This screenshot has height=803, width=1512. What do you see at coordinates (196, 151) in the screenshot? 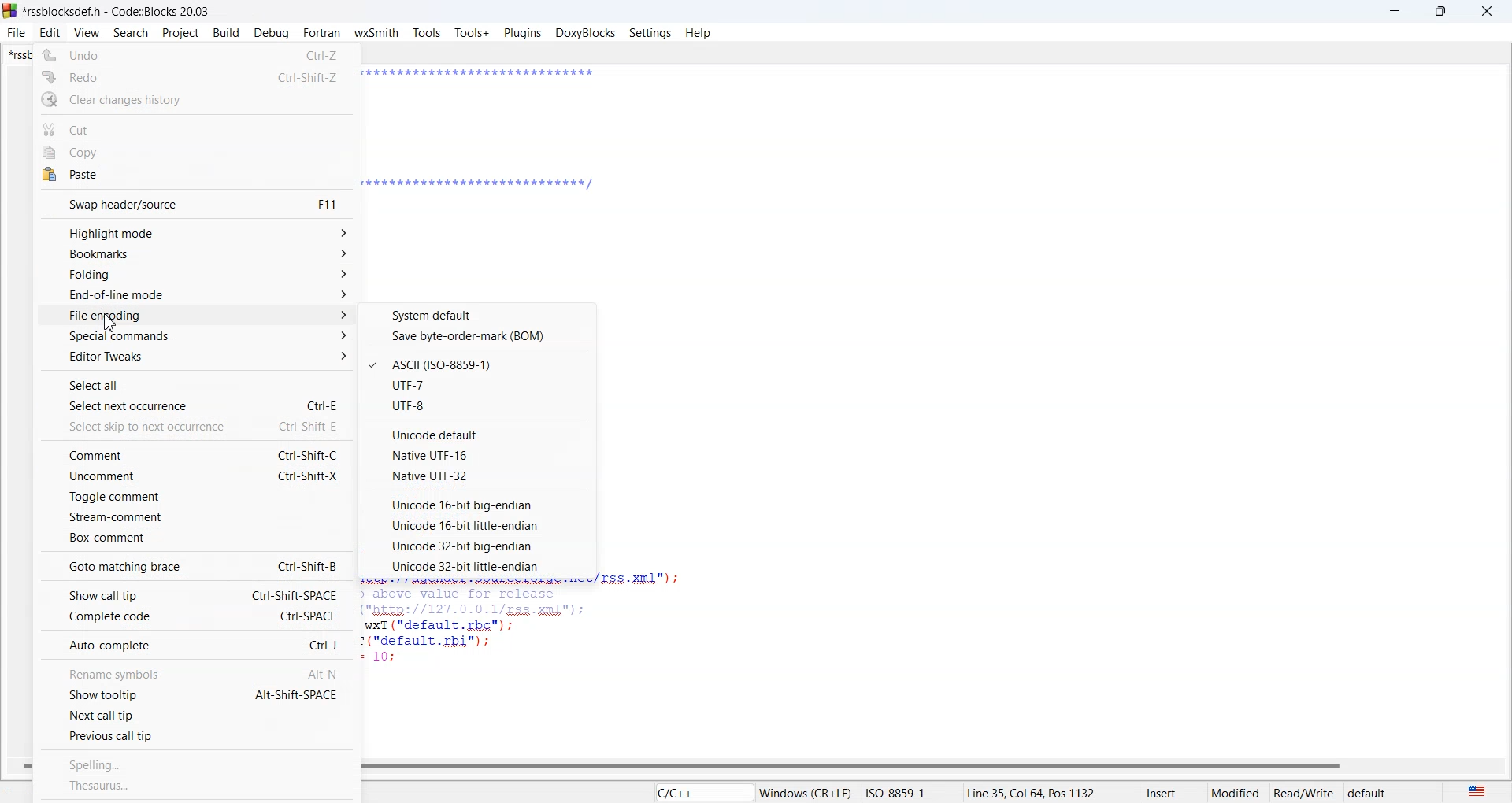
I see `Copy` at bounding box center [196, 151].